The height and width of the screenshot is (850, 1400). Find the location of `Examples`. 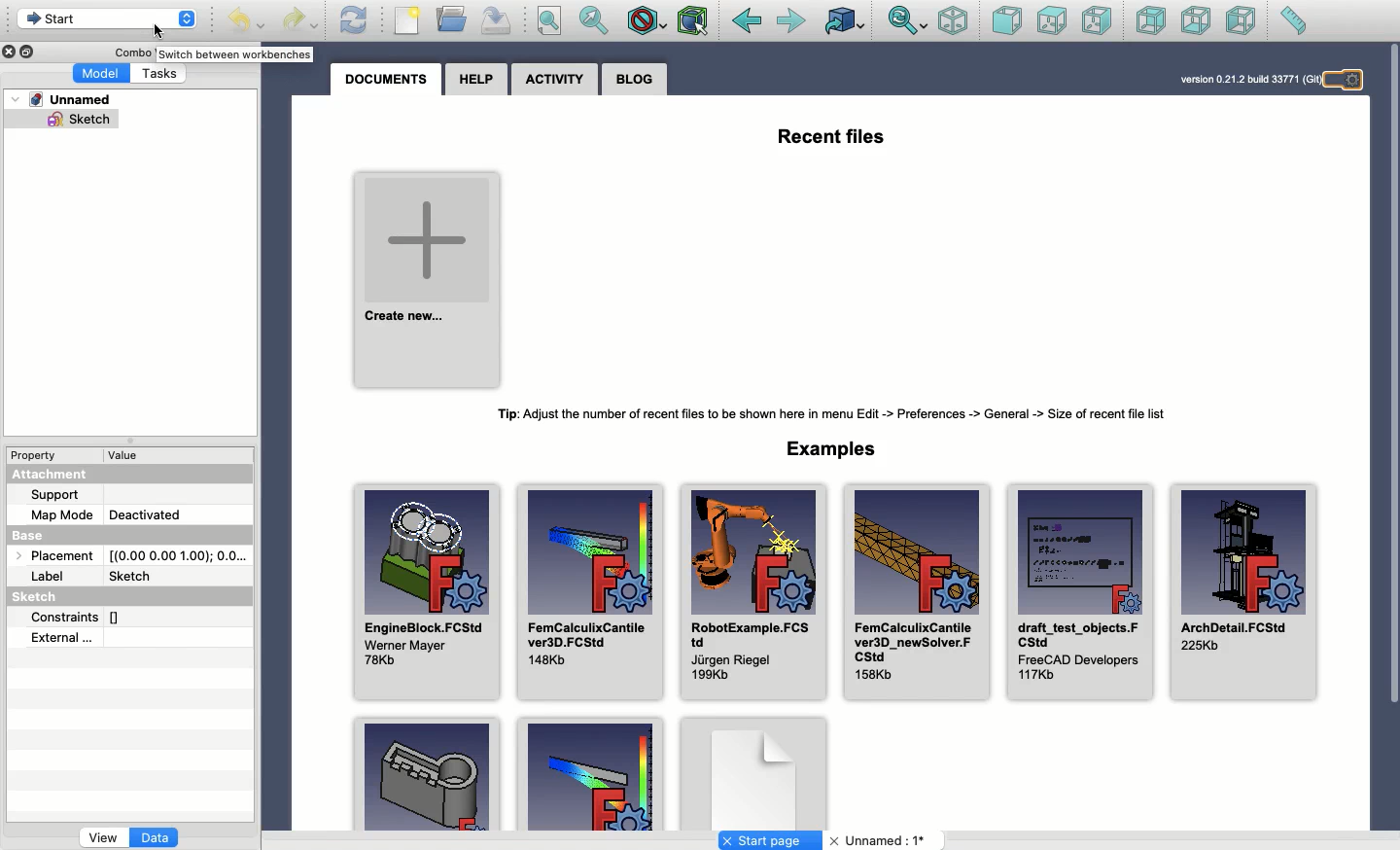

Examples is located at coordinates (828, 449).